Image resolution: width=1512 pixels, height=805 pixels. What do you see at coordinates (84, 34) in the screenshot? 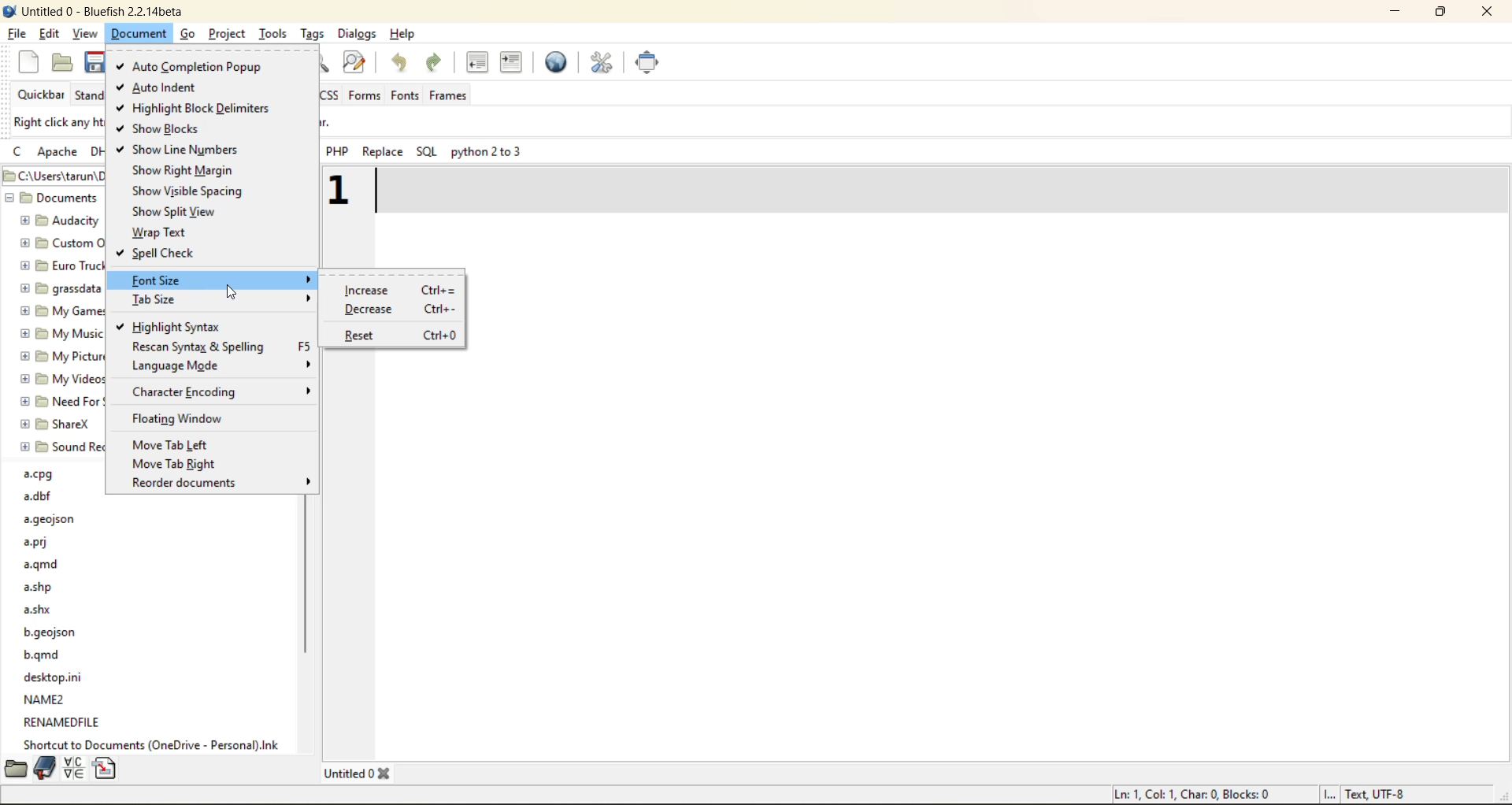
I see `view` at bounding box center [84, 34].